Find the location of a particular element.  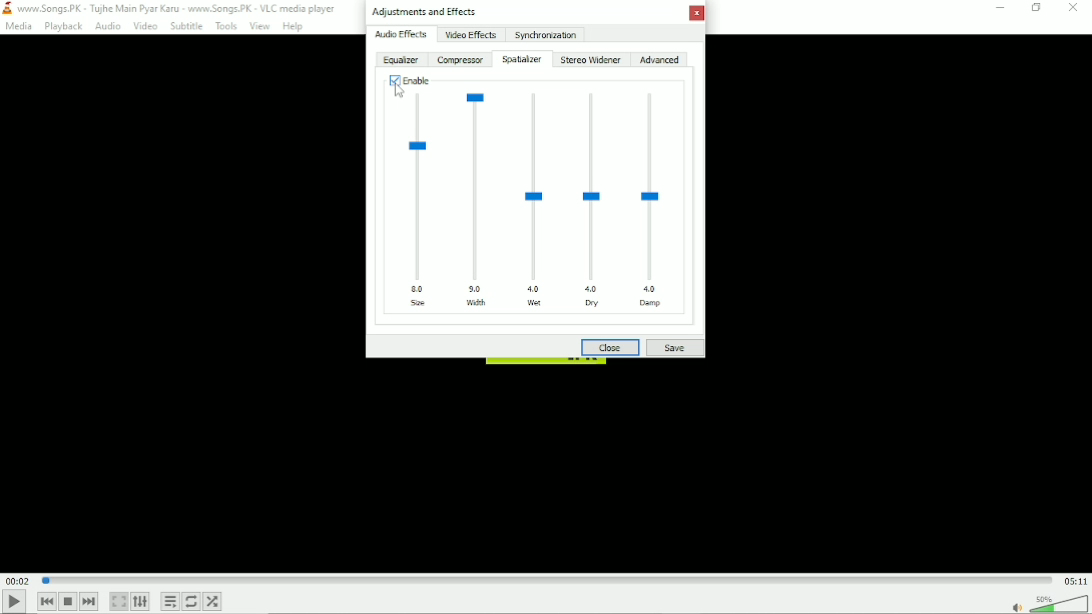

random is located at coordinates (212, 601).